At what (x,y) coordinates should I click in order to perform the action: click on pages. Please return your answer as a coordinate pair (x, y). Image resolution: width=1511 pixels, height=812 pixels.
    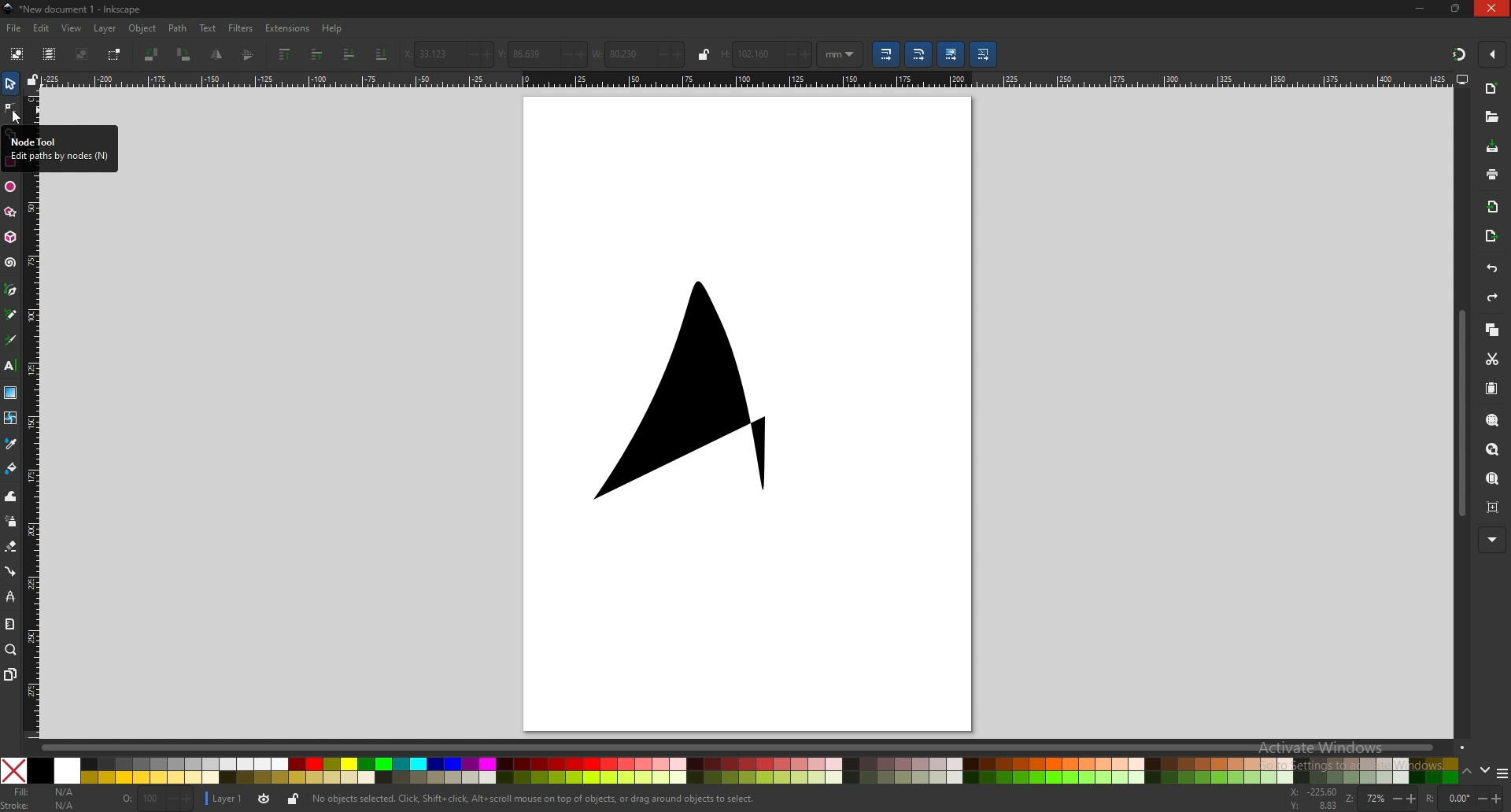
    Looking at the image, I should click on (10, 675).